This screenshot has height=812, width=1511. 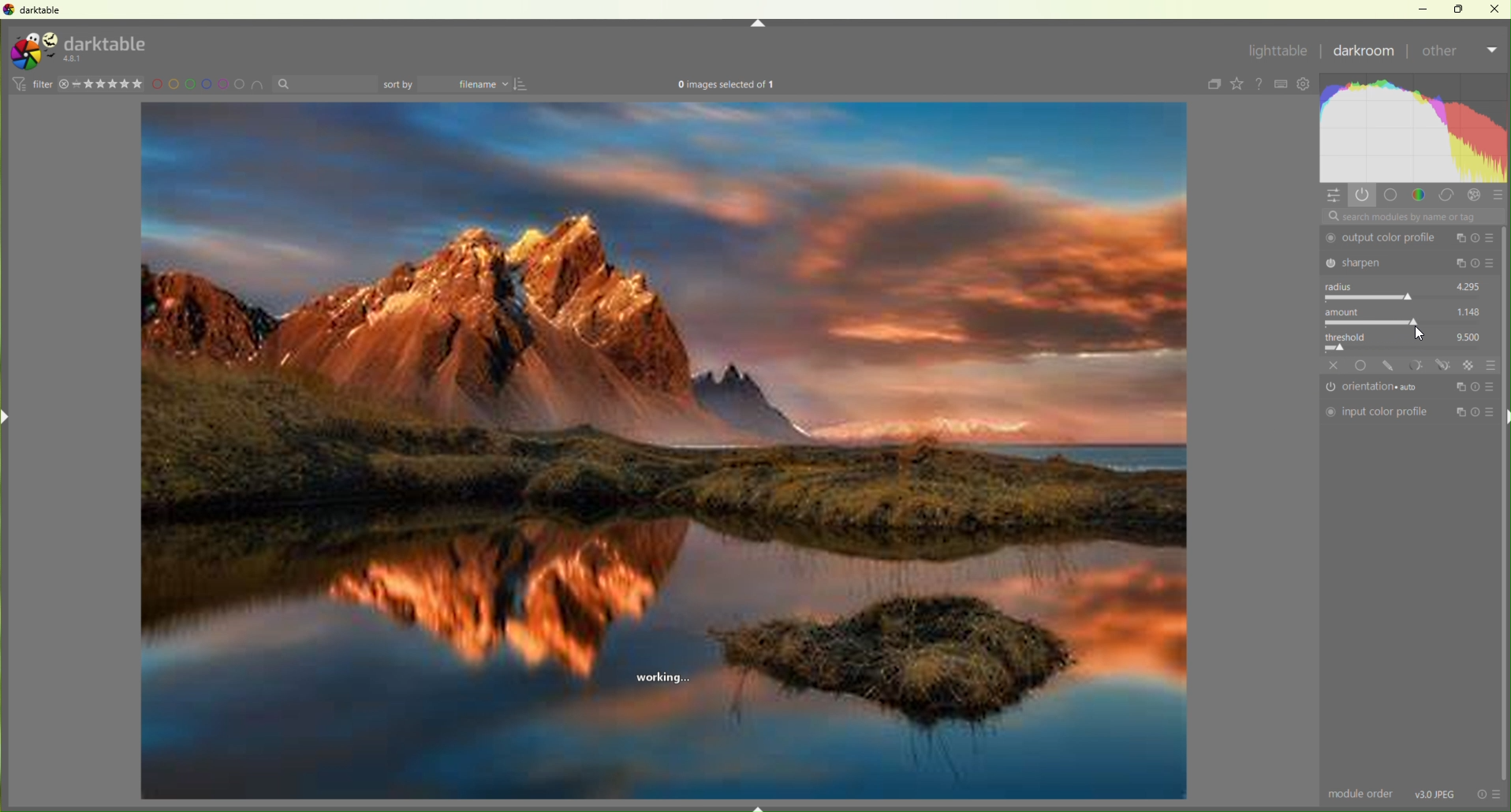 What do you see at coordinates (42, 84) in the screenshot?
I see `filter` at bounding box center [42, 84].